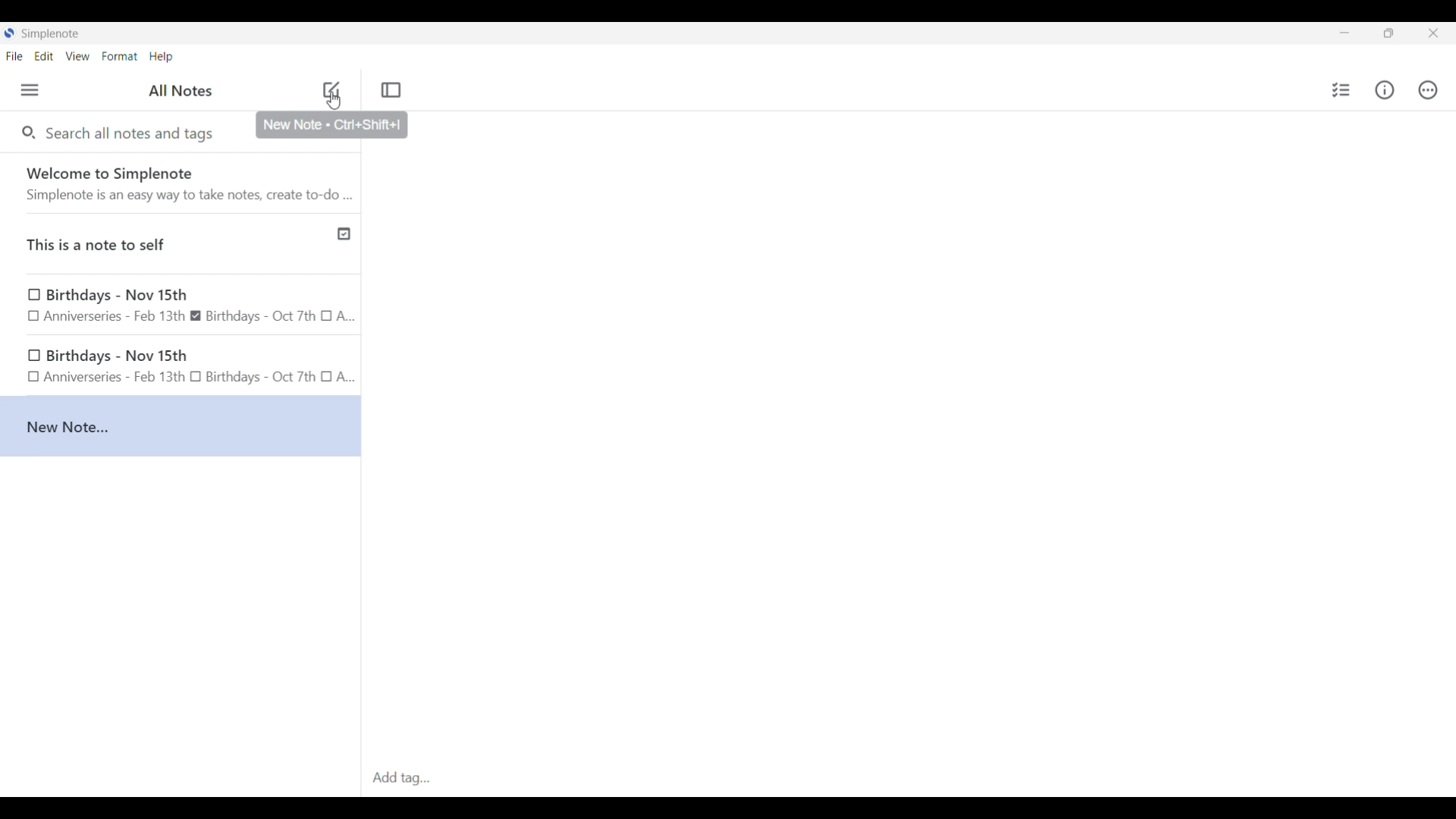 Image resolution: width=1456 pixels, height=819 pixels. Describe the element at coordinates (180, 91) in the screenshot. I see `Title of left side panel` at that location.